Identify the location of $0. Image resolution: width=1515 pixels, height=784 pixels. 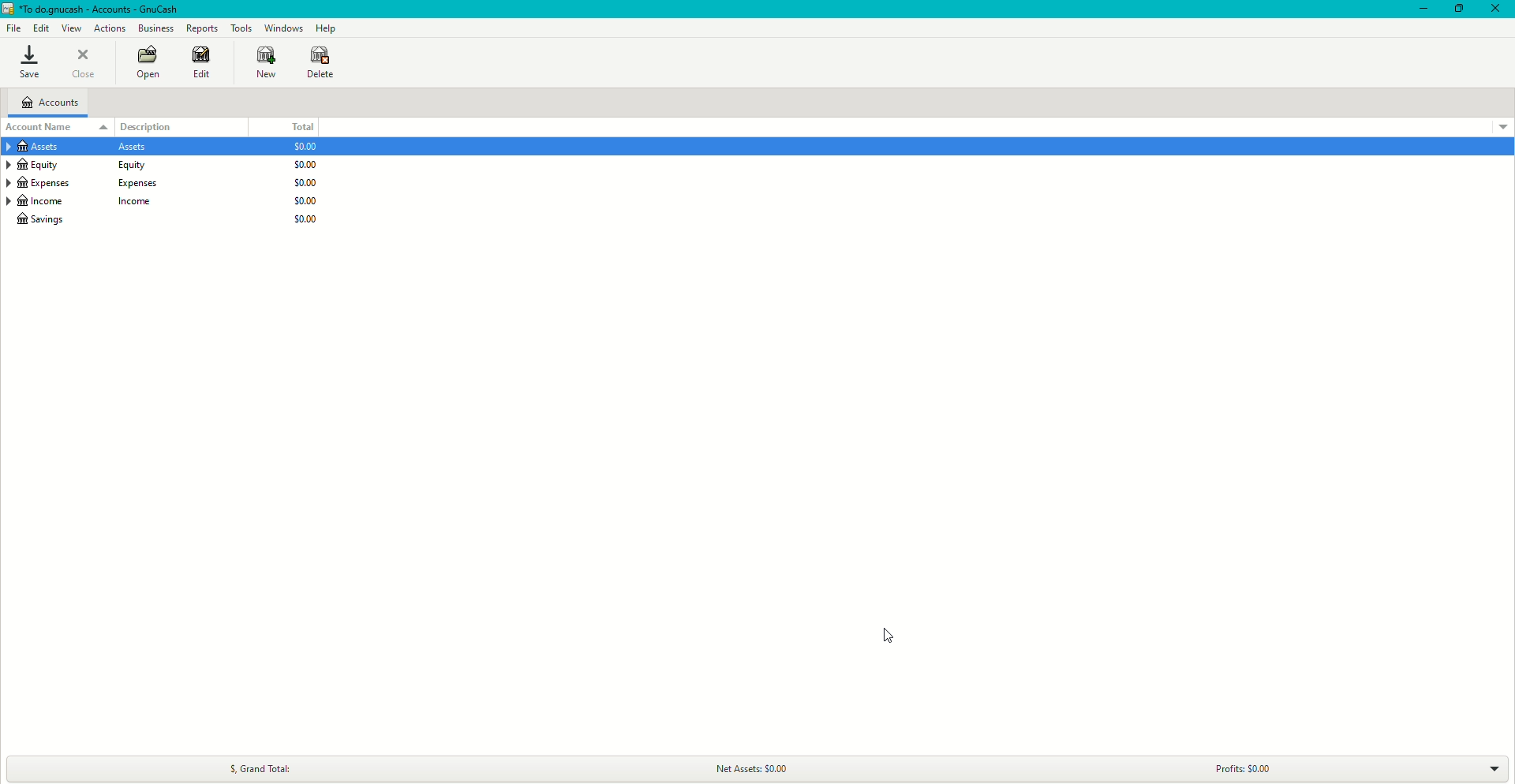
(301, 183).